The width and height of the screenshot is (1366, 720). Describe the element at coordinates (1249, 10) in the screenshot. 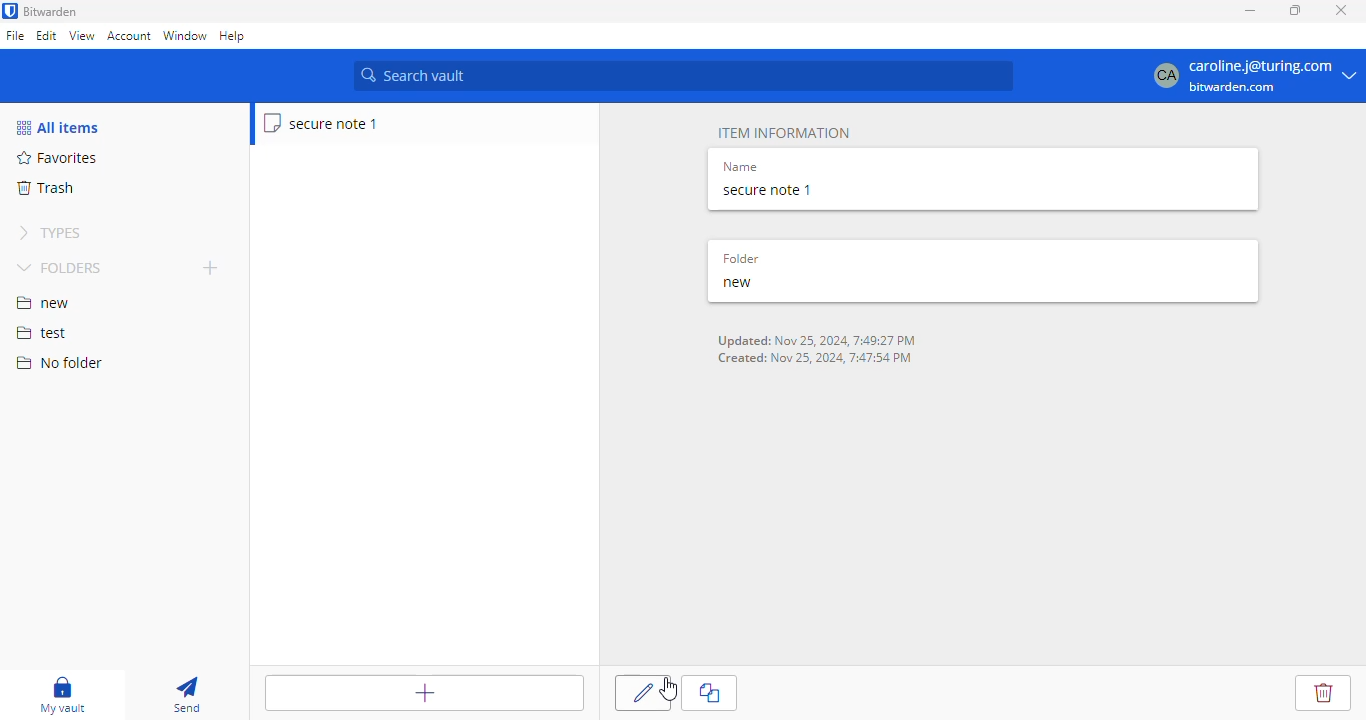

I see `minimize` at that location.